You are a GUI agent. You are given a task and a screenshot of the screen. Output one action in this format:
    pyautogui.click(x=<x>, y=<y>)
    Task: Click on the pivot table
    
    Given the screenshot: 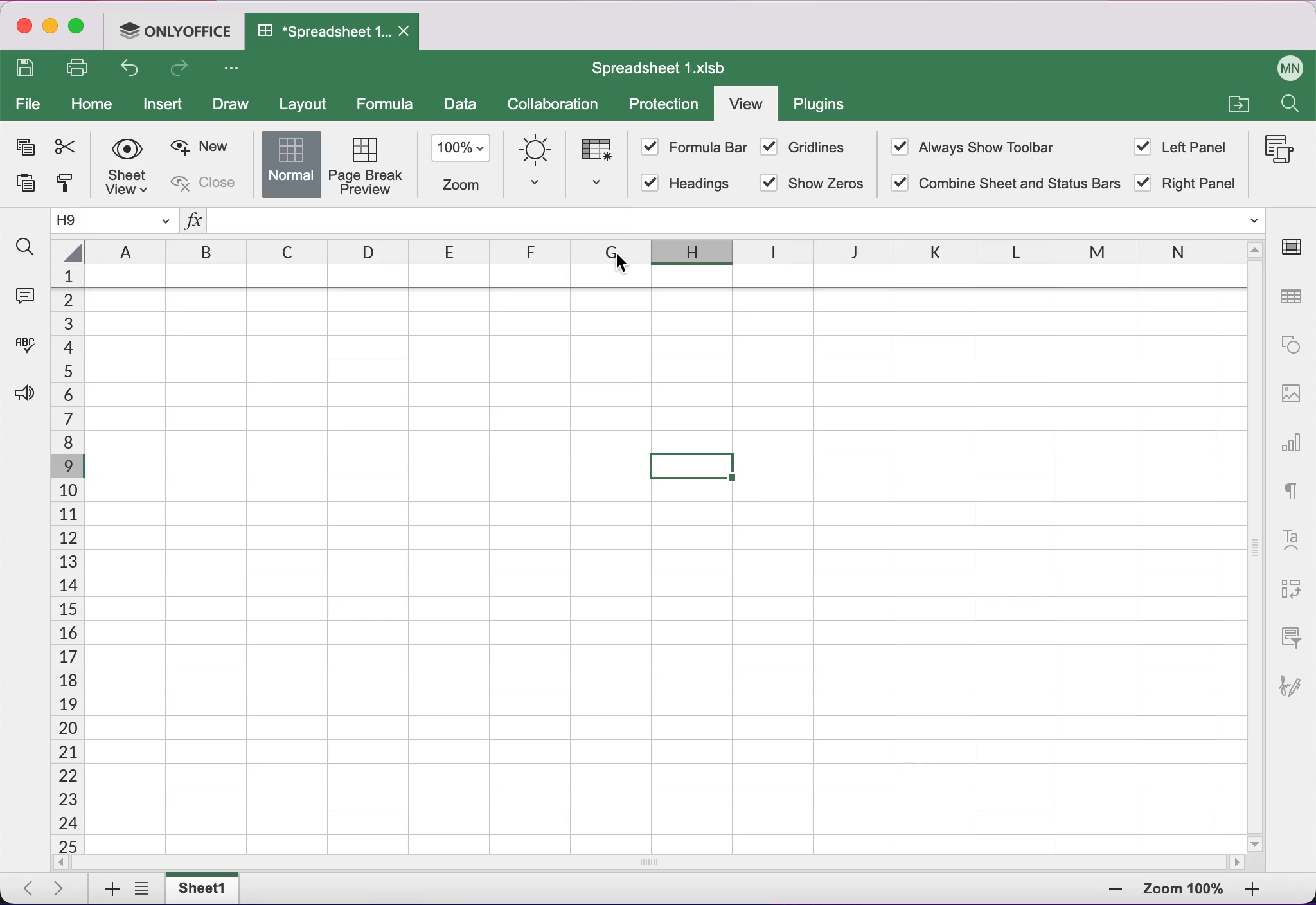 What is the action you would take?
    pyautogui.click(x=1295, y=584)
    